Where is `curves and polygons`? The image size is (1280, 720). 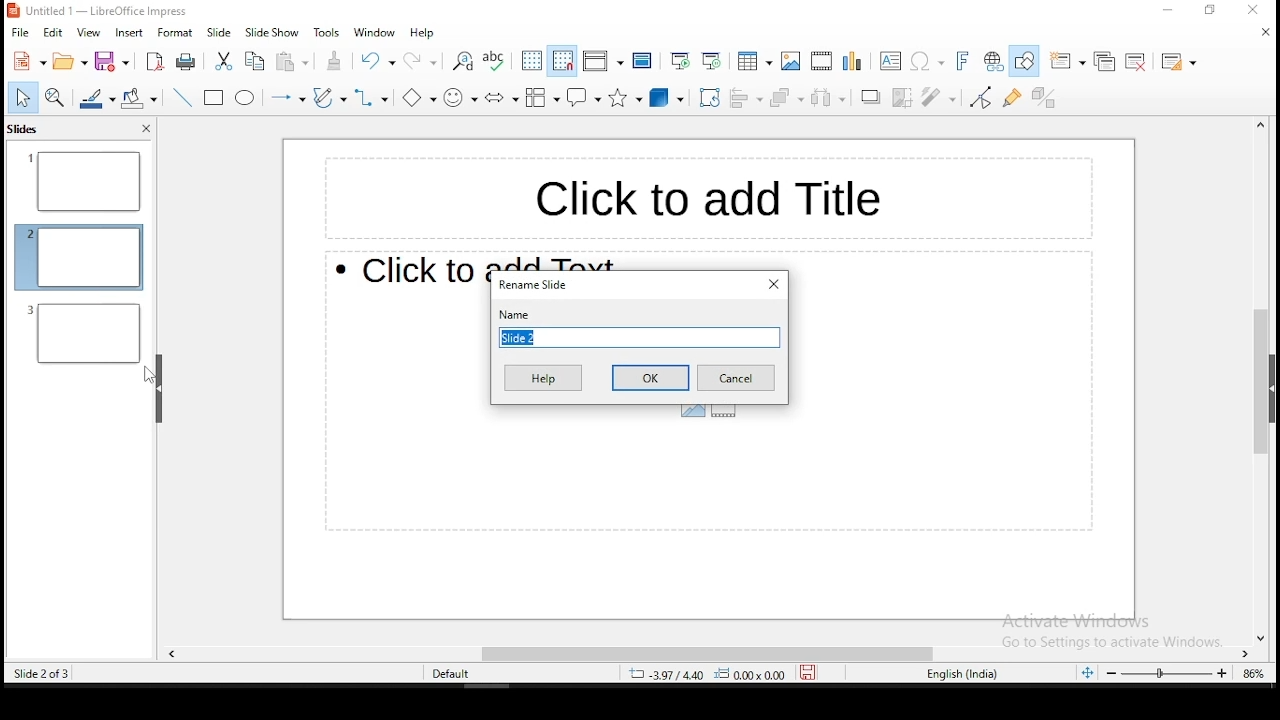 curves and polygons is located at coordinates (330, 99).